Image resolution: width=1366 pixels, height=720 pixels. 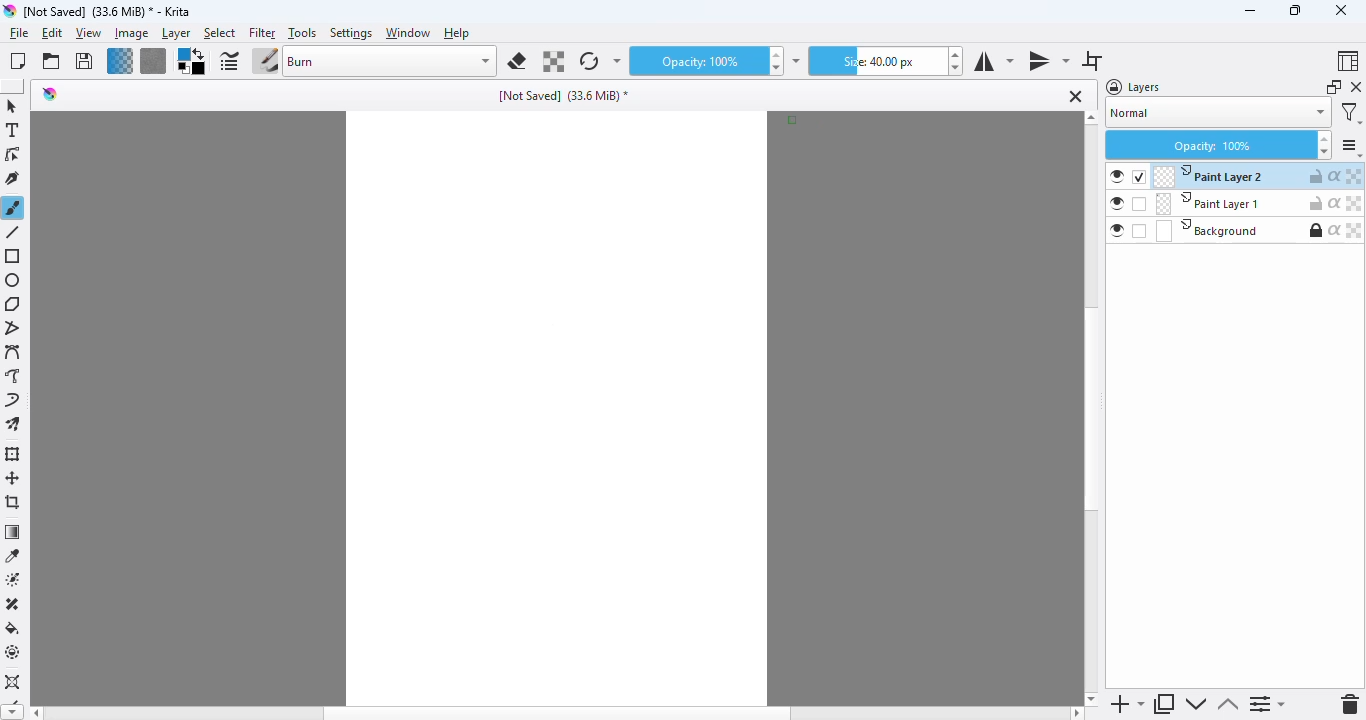 I want to click on settings, so click(x=1351, y=147).